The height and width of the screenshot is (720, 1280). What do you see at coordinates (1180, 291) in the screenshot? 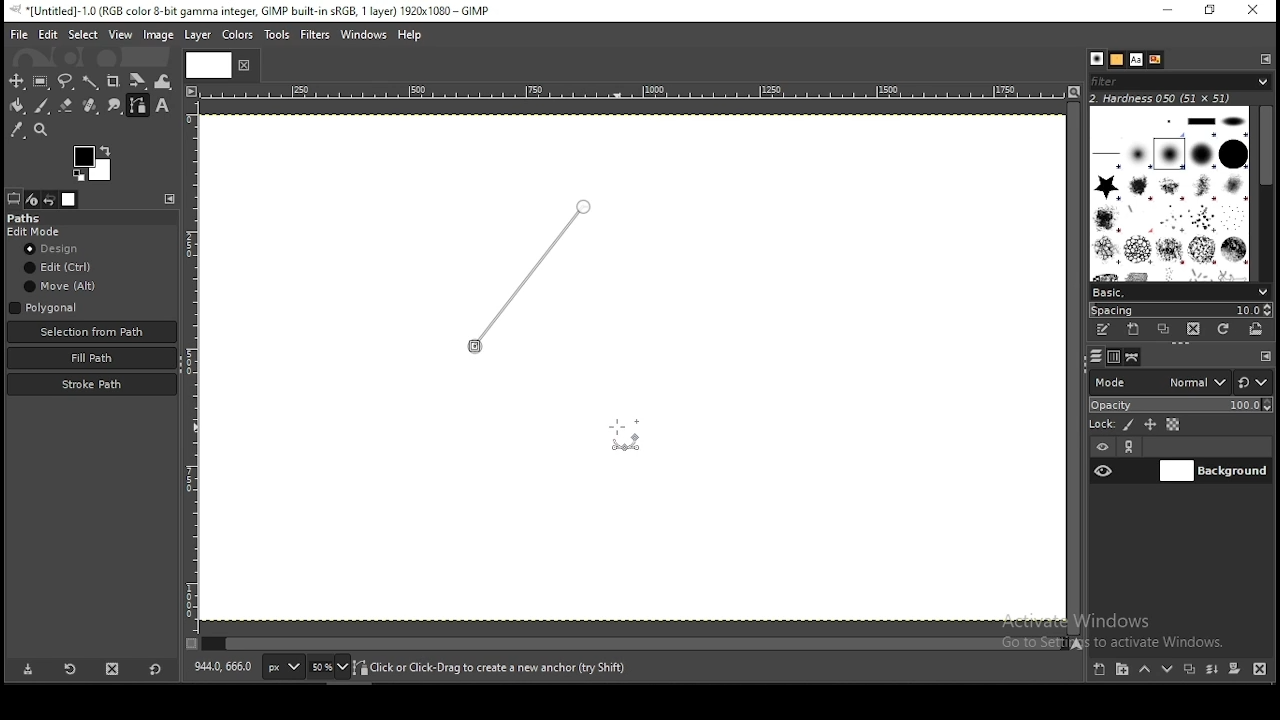
I see `brush presets` at bounding box center [1180, 291].